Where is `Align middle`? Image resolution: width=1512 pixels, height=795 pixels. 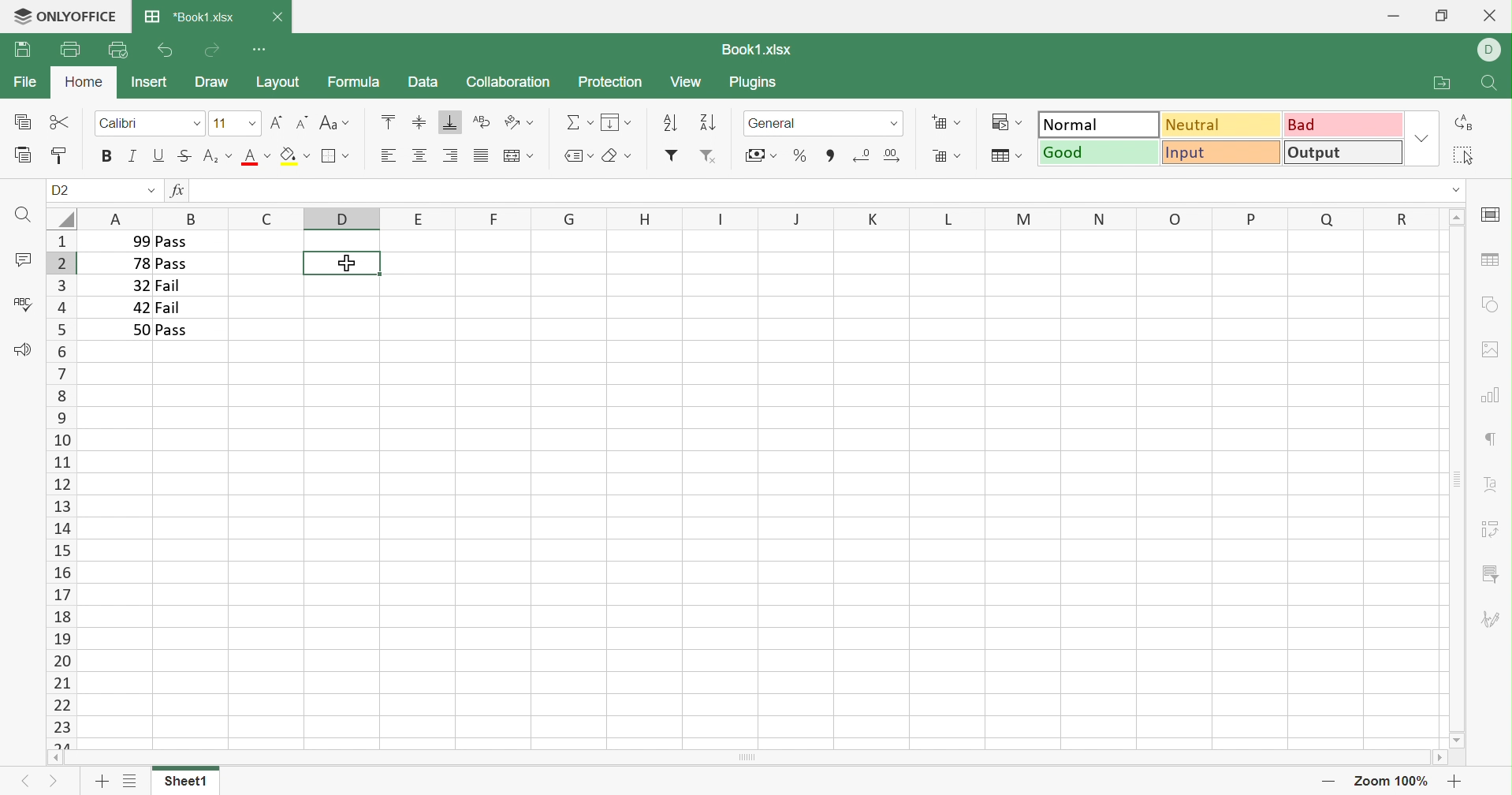
Align middle is located at coordinates (417, 121).